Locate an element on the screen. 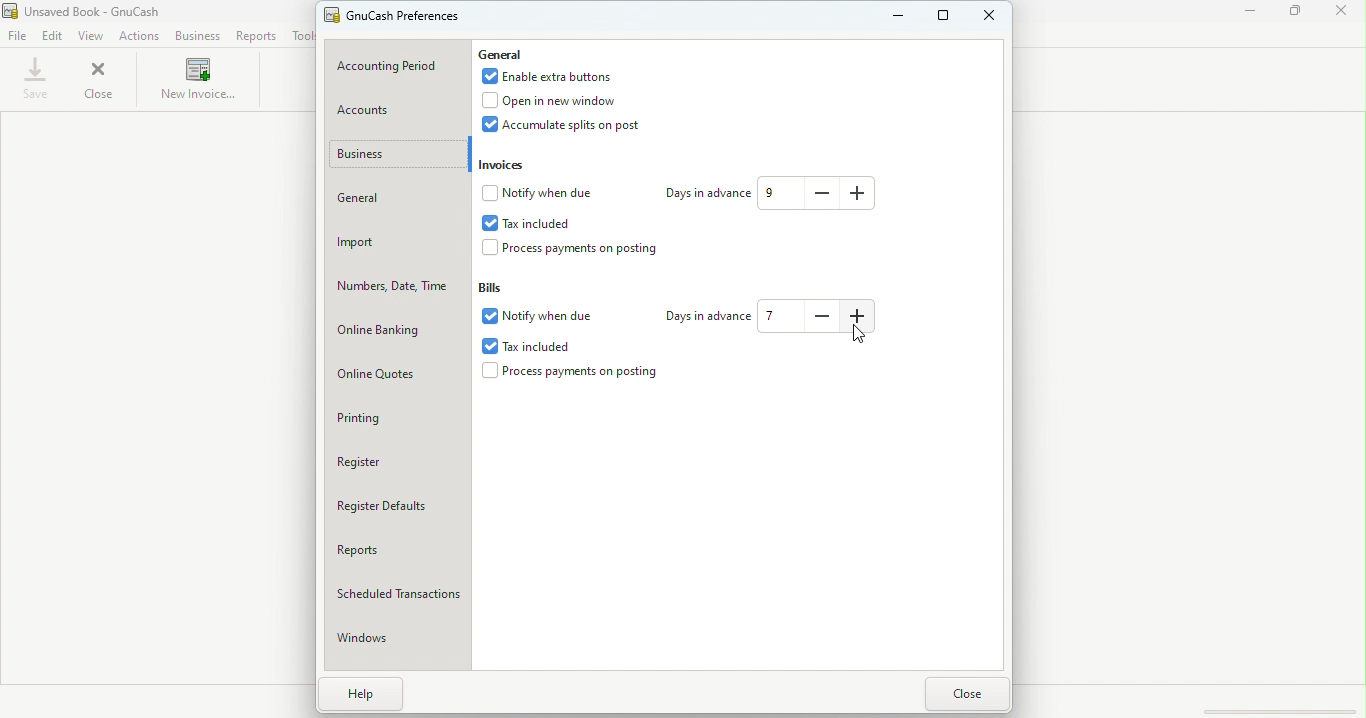 This screenshot has width=1366, height=718. Process payments on posting is located at coordinates (584, 249).